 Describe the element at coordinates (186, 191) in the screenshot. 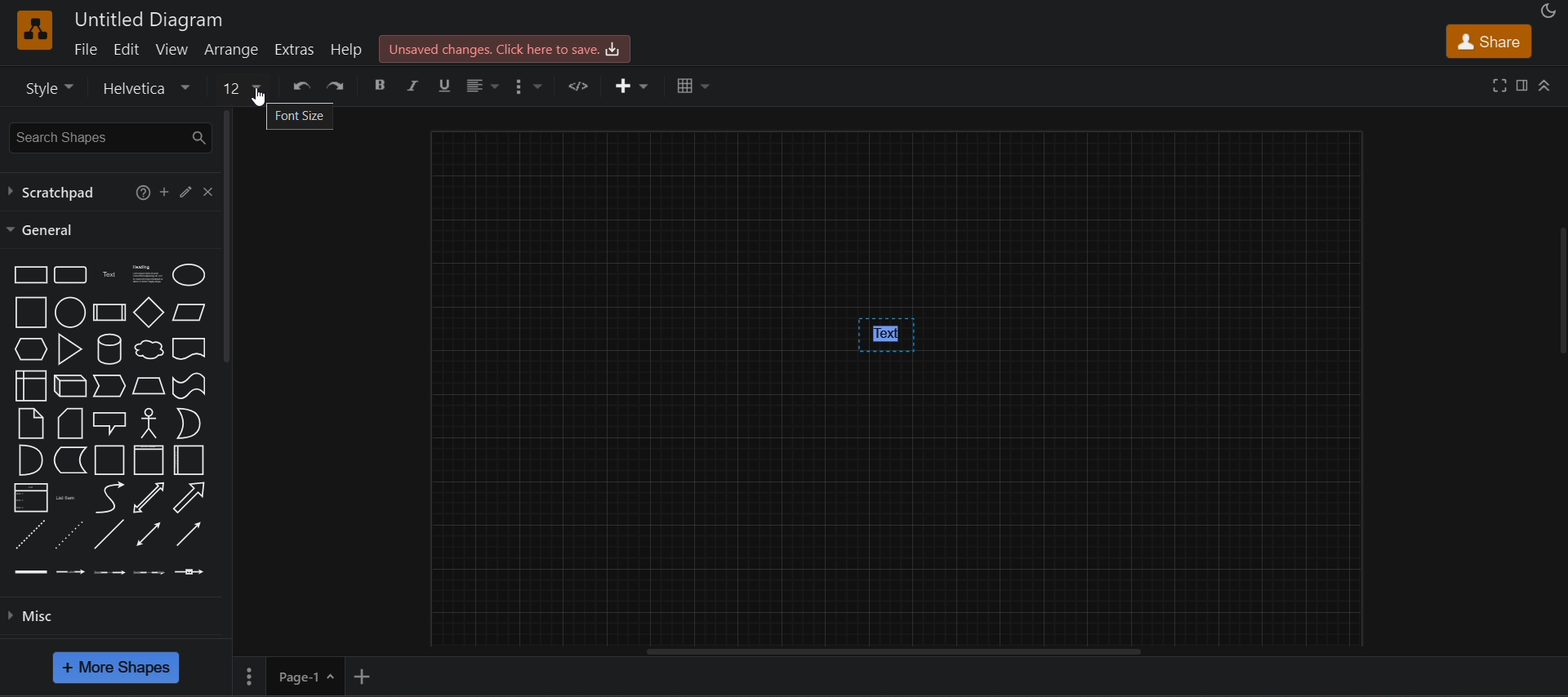

I see `edit` at that location.